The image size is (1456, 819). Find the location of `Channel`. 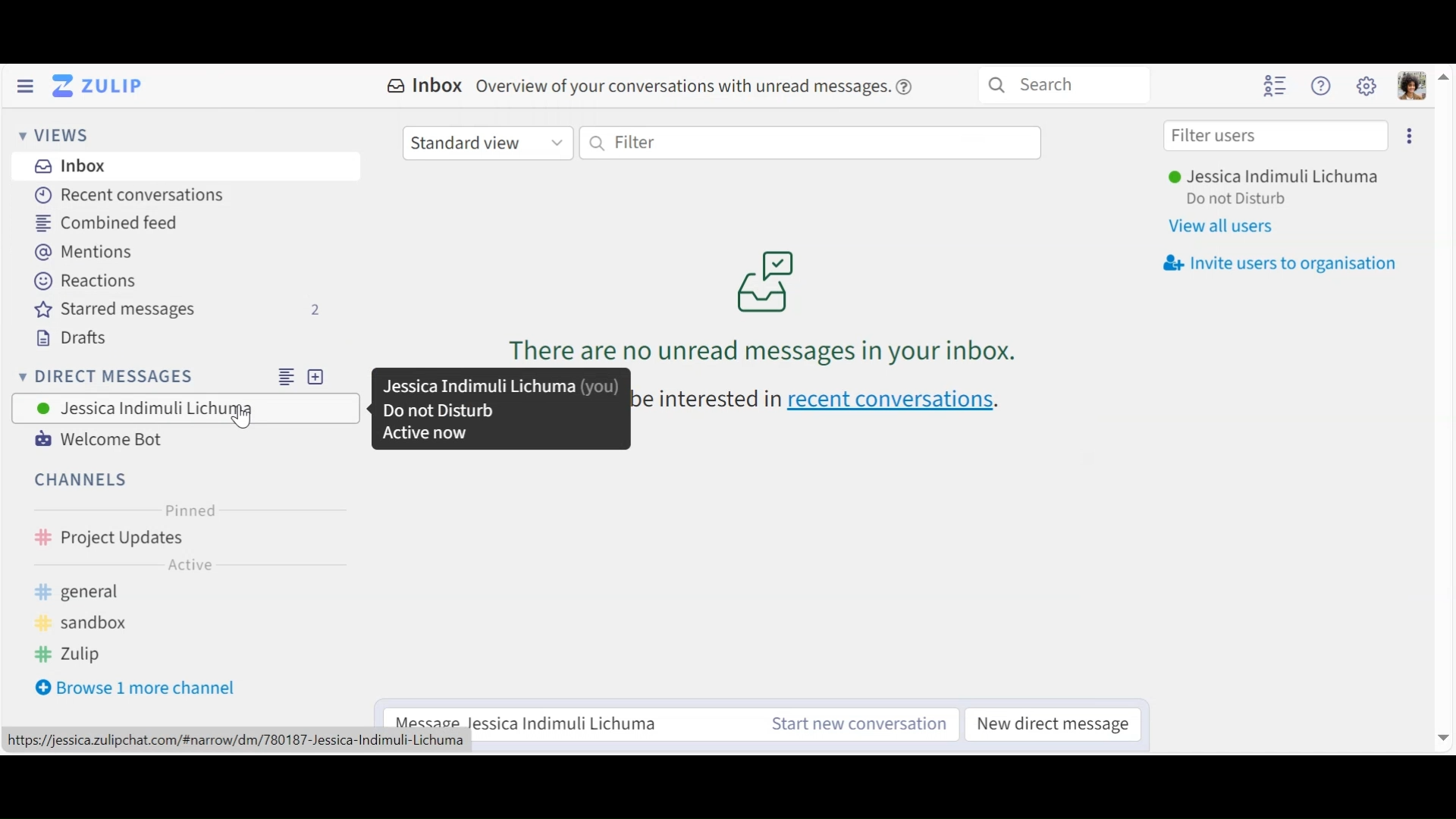

Channel is located at coordinates (185, 539).